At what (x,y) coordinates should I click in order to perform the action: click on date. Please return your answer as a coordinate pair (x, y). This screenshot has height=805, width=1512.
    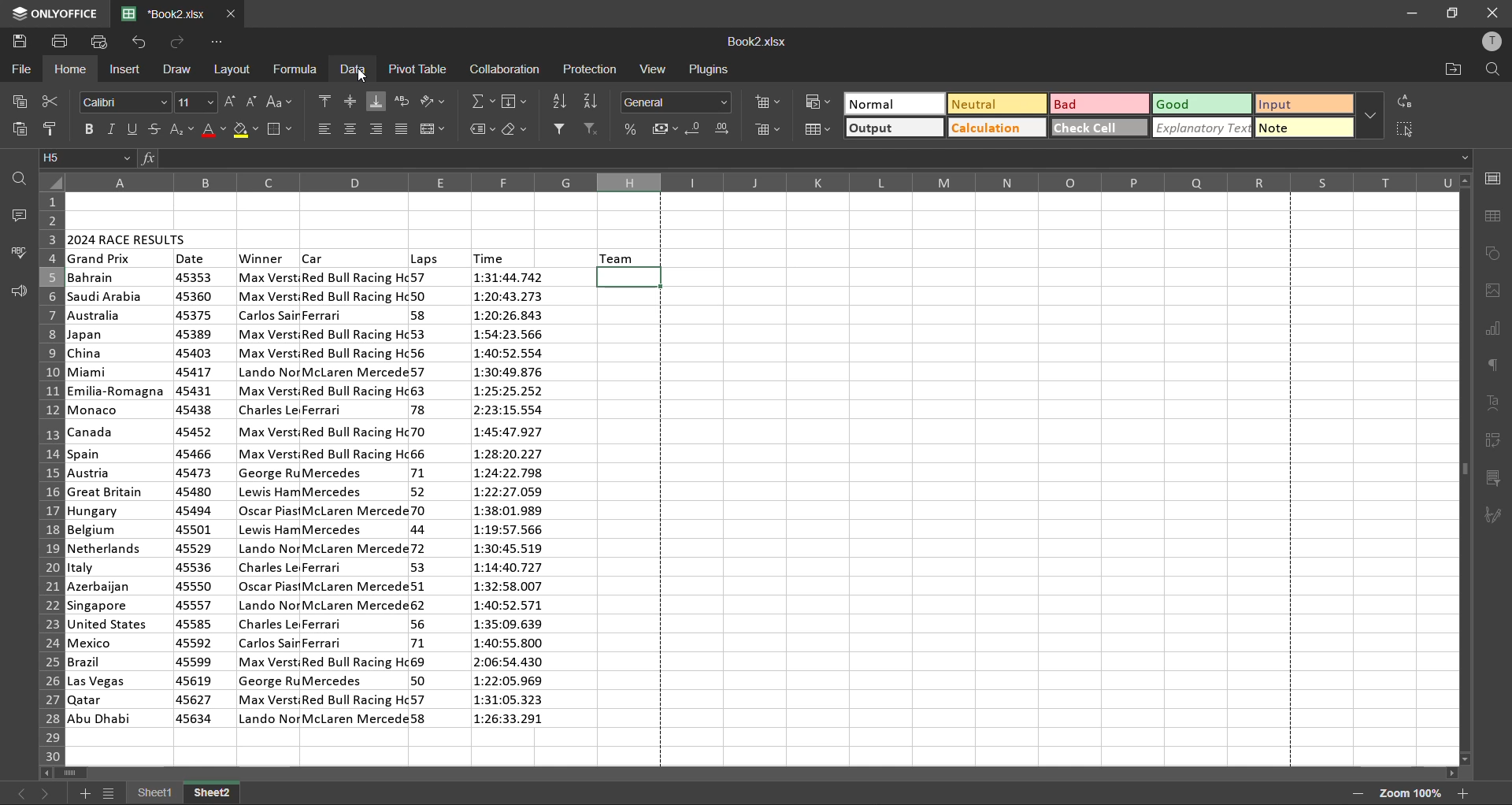
    Looking at the image, I should click on (191, 258).